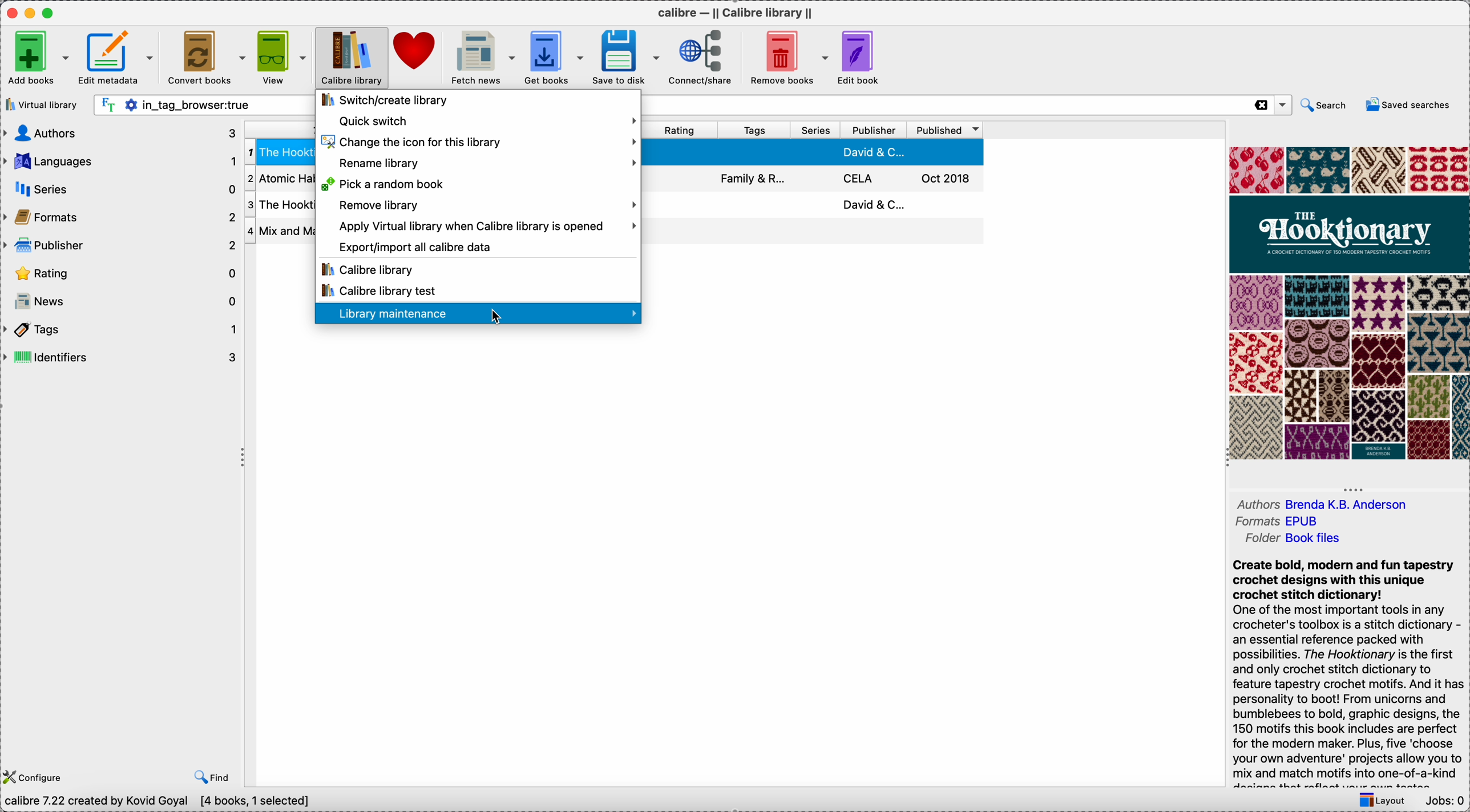 The image size is (1470, 812). What do you see at coordinates (241, 457) in the screenshot?
I see `hide` at bounding box center [241, 457].